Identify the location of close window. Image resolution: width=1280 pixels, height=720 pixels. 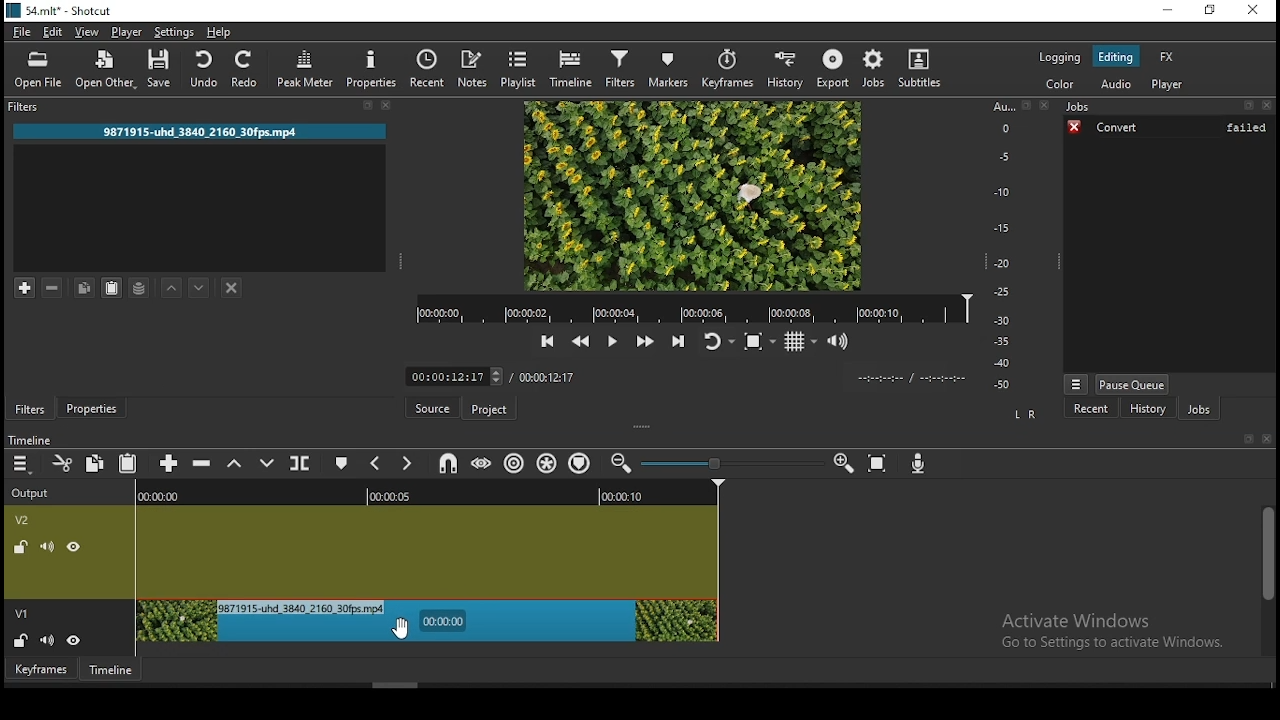
(1251, 11).